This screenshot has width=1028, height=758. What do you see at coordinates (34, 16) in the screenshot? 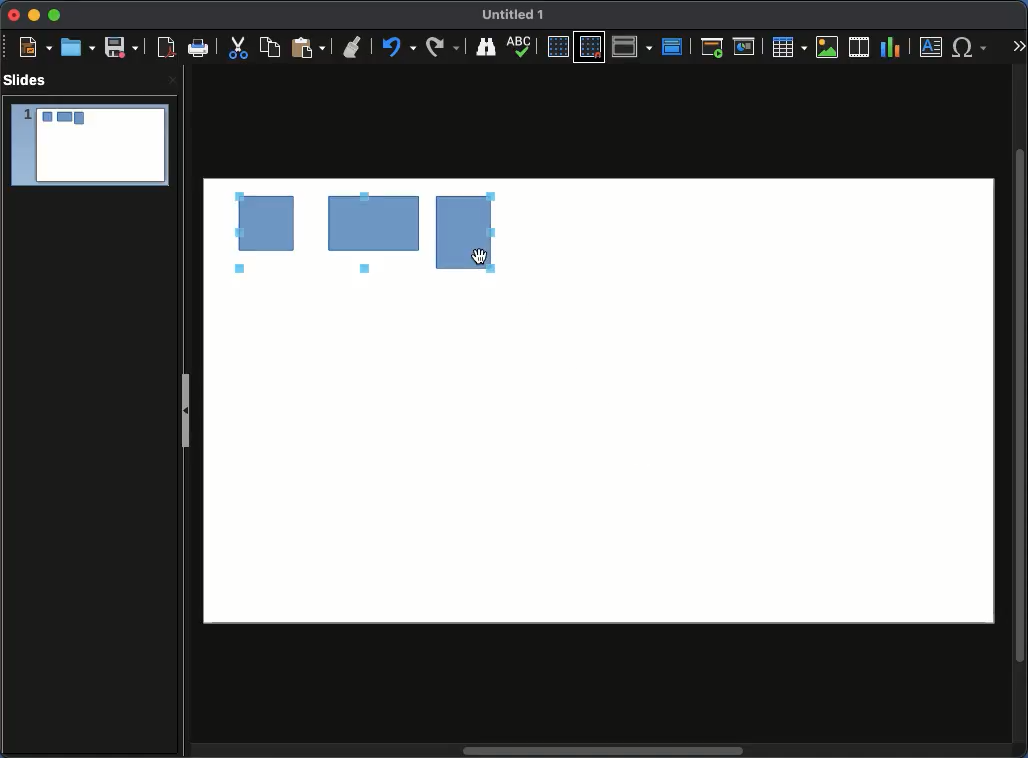
I see `Minimize` at bounding box center [34, 16].